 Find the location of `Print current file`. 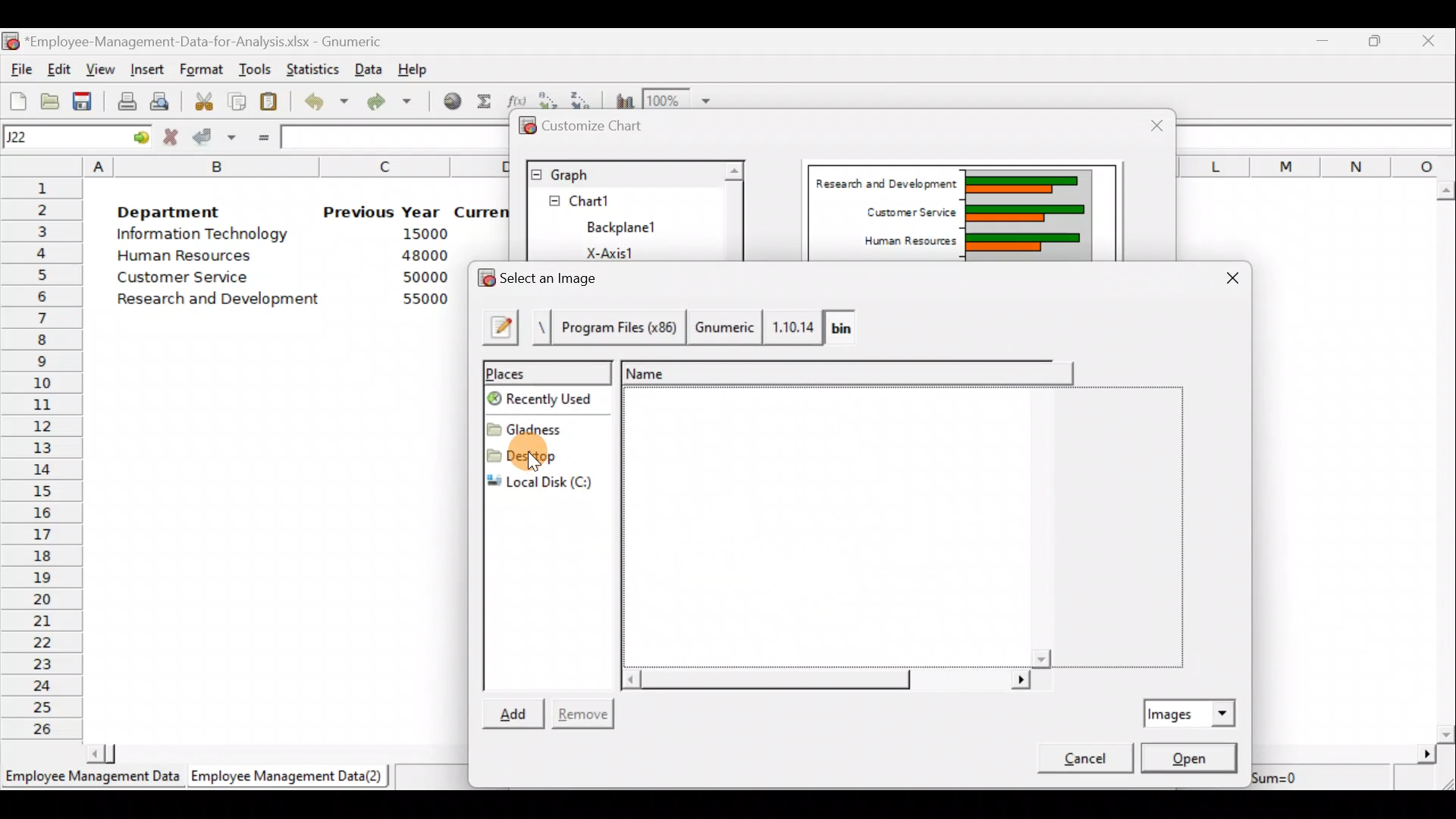

Print current file is located at coordinates (124, 99).